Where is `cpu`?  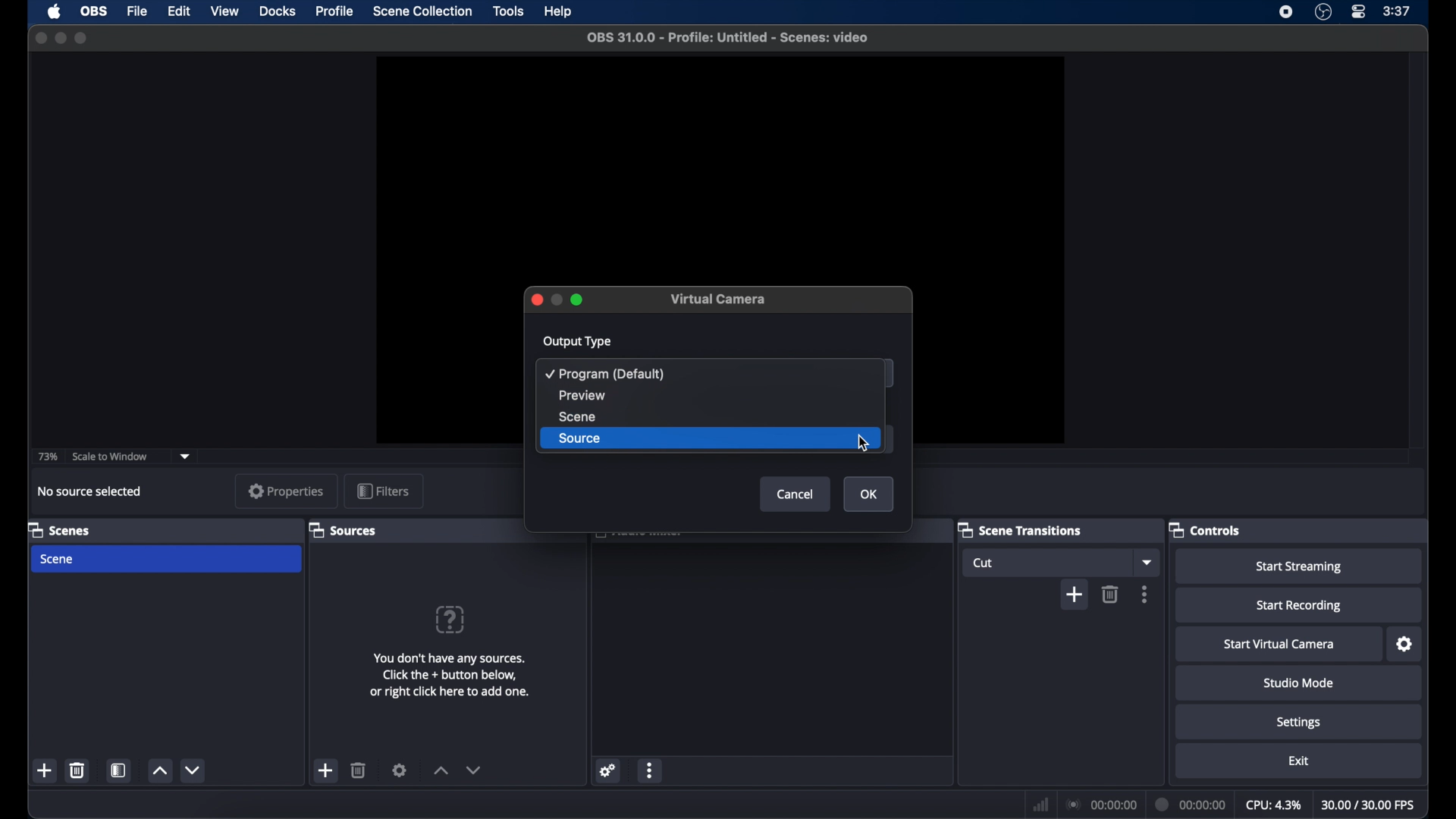 cpu is located at coordinates (1274, 805).